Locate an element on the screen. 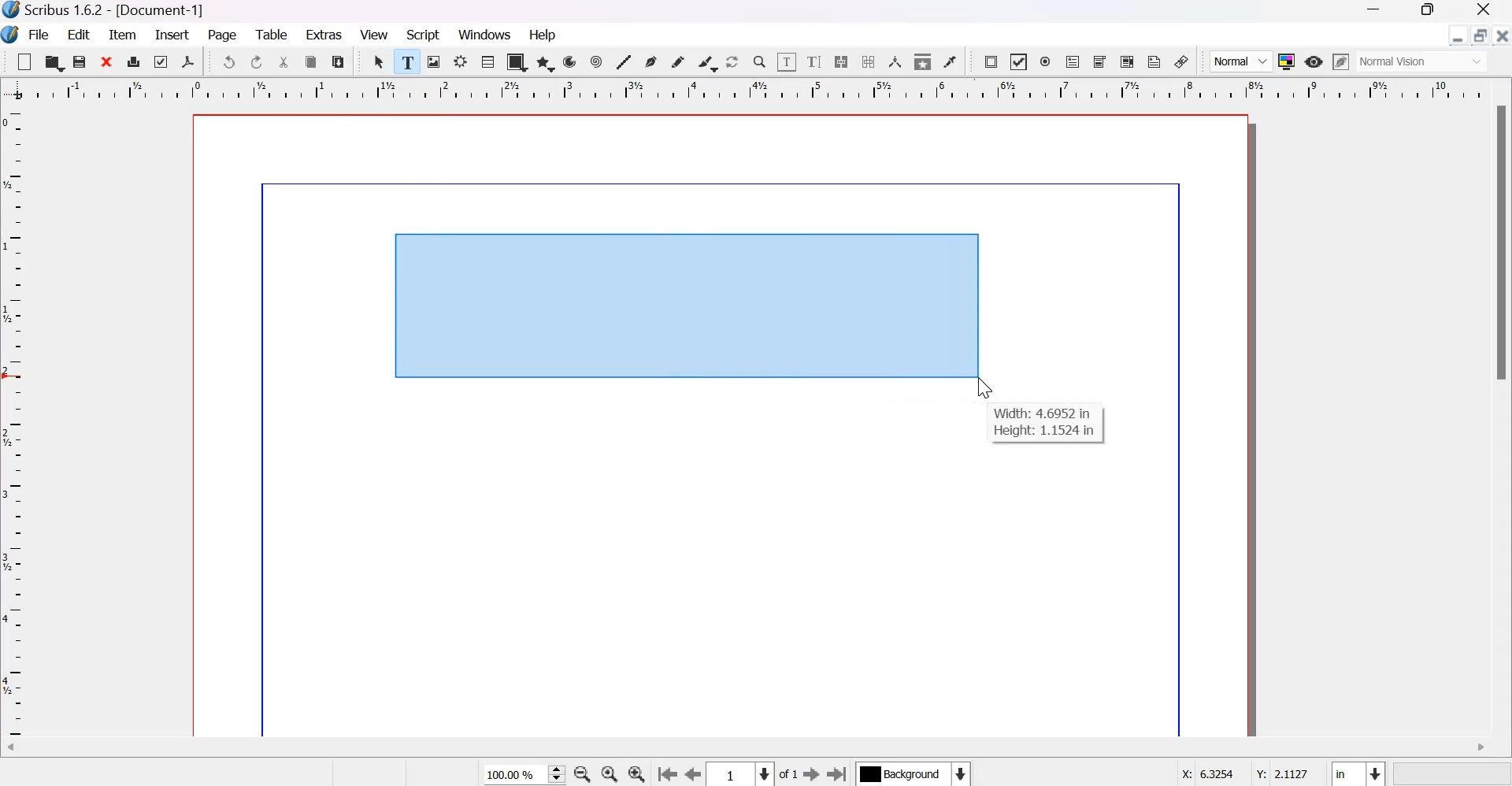 The height and width of the screenshot is (786, 1512). print is located at coordinates (134, 61).